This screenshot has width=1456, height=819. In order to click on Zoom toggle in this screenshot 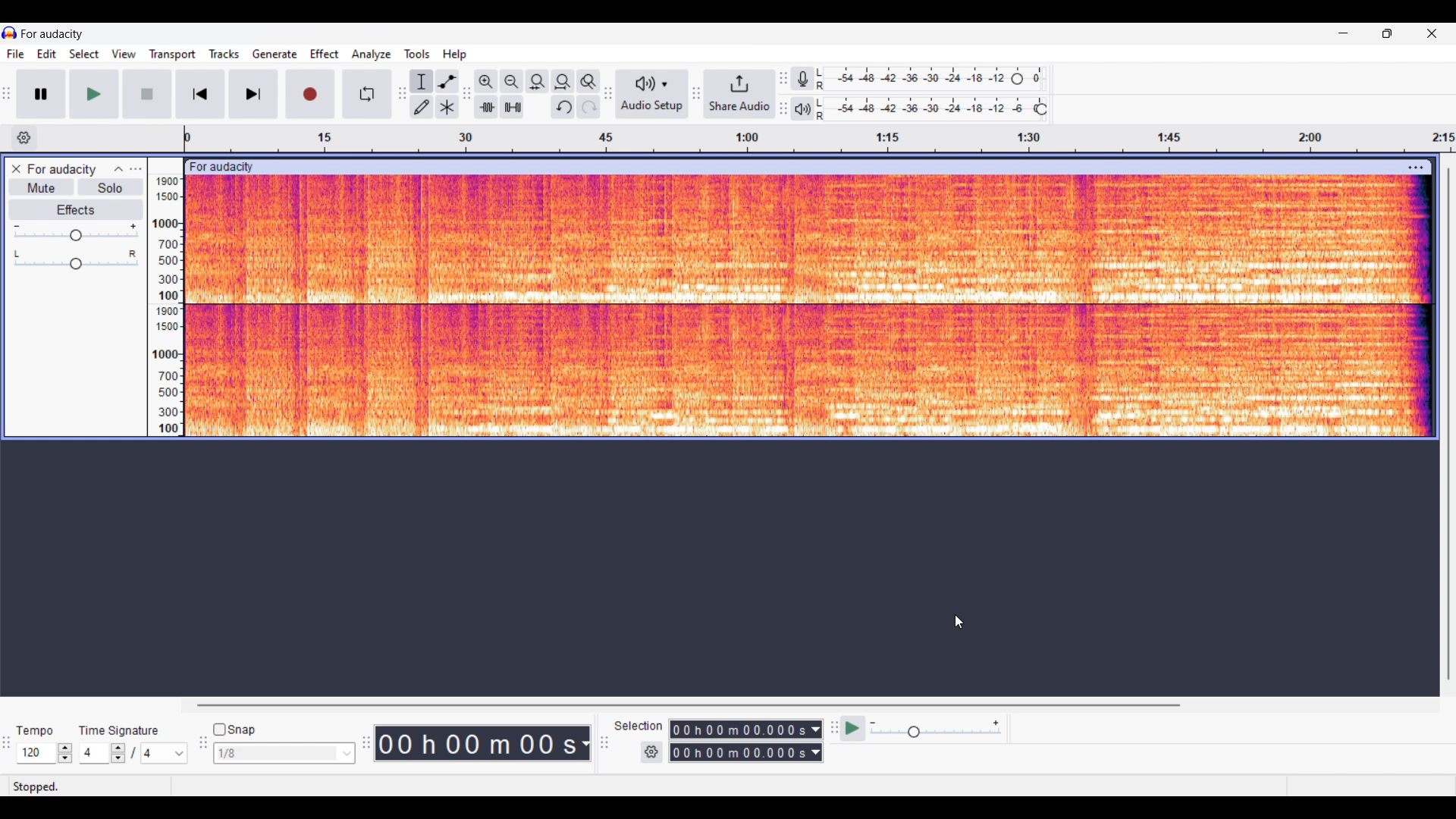, I will do `click(588, 82)`.